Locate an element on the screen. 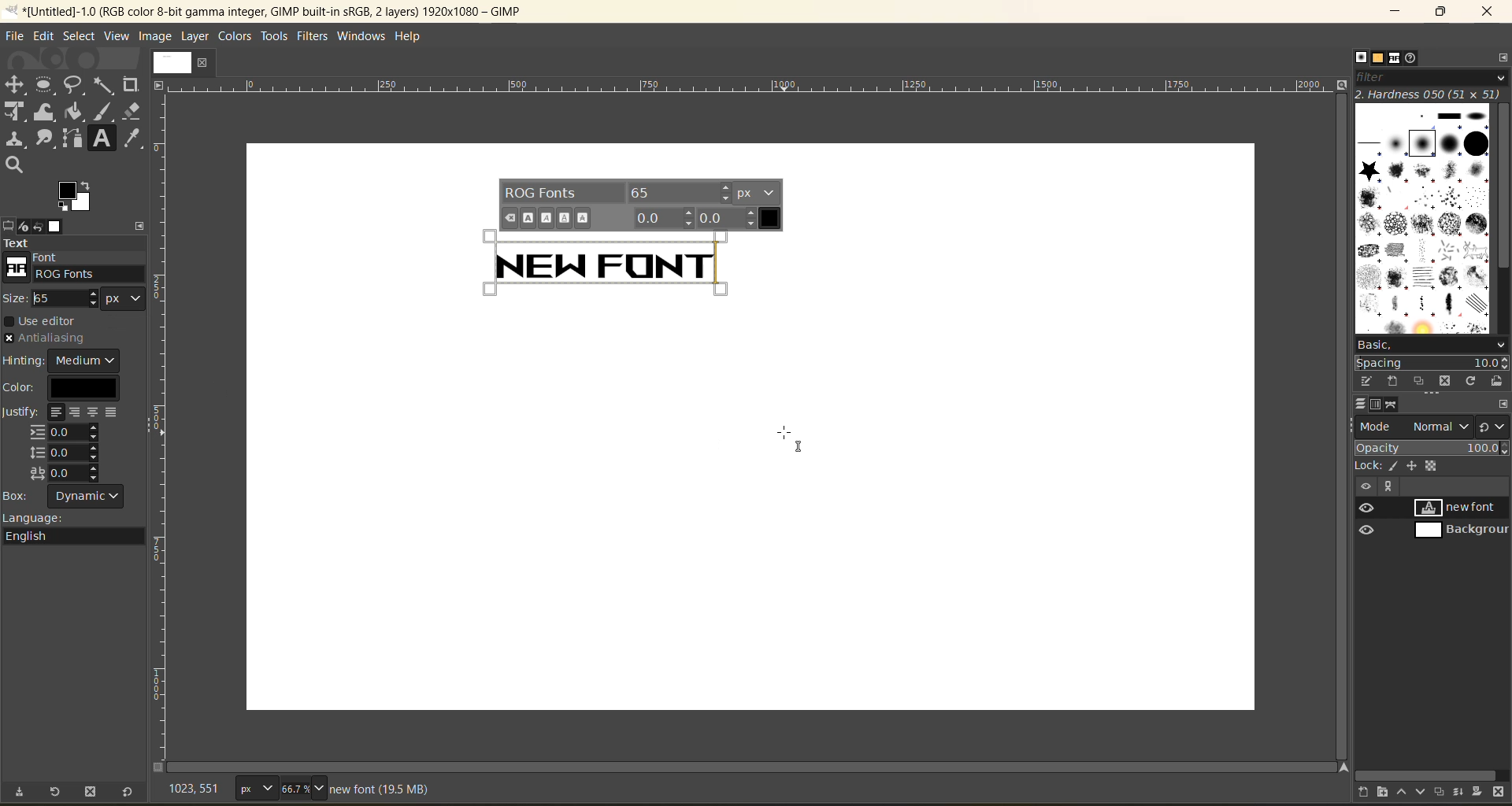  background is located at coordinates (1464, 531).